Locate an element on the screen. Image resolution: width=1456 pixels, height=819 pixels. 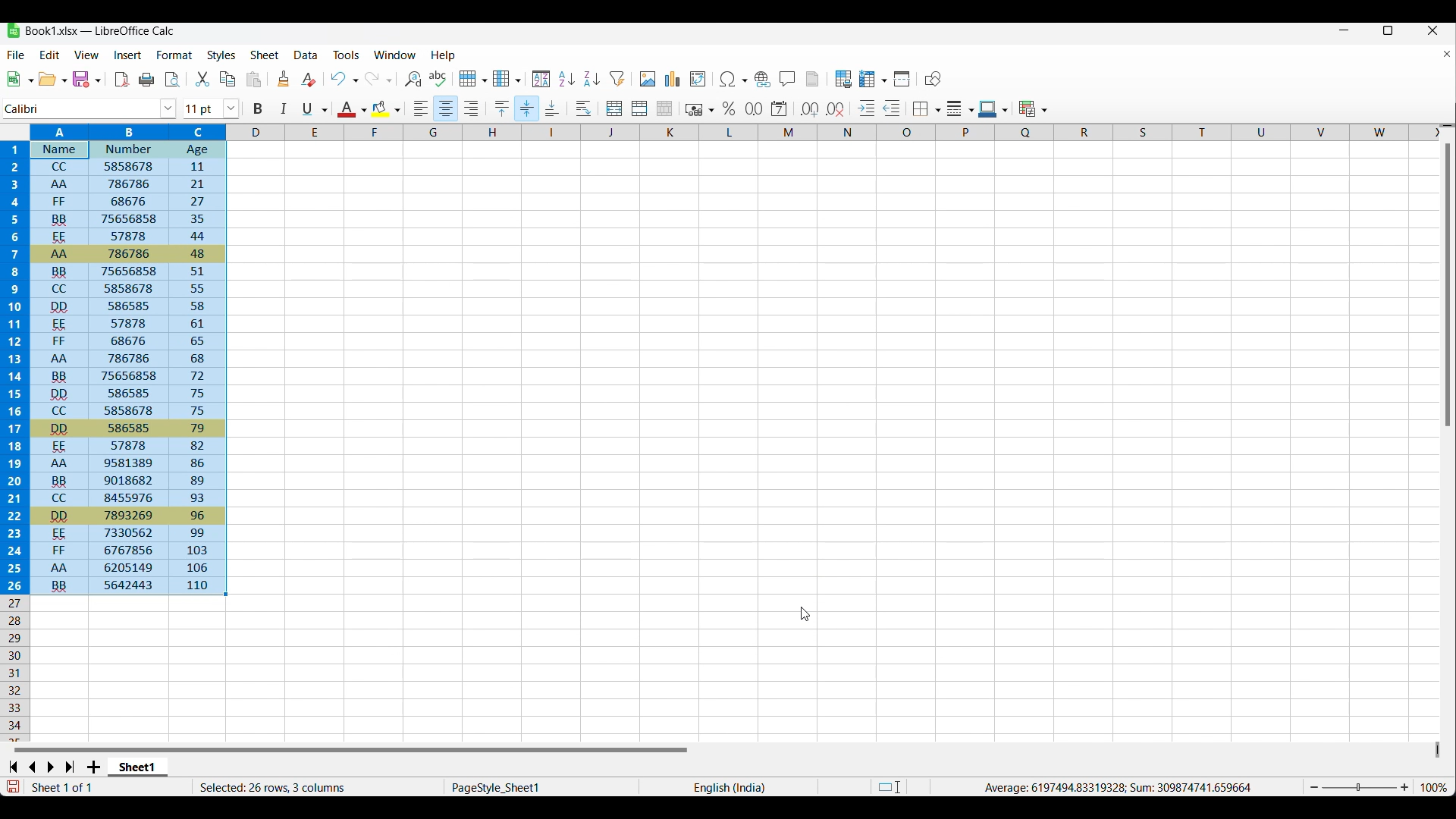
Bold is located at coordinates (258, 109).